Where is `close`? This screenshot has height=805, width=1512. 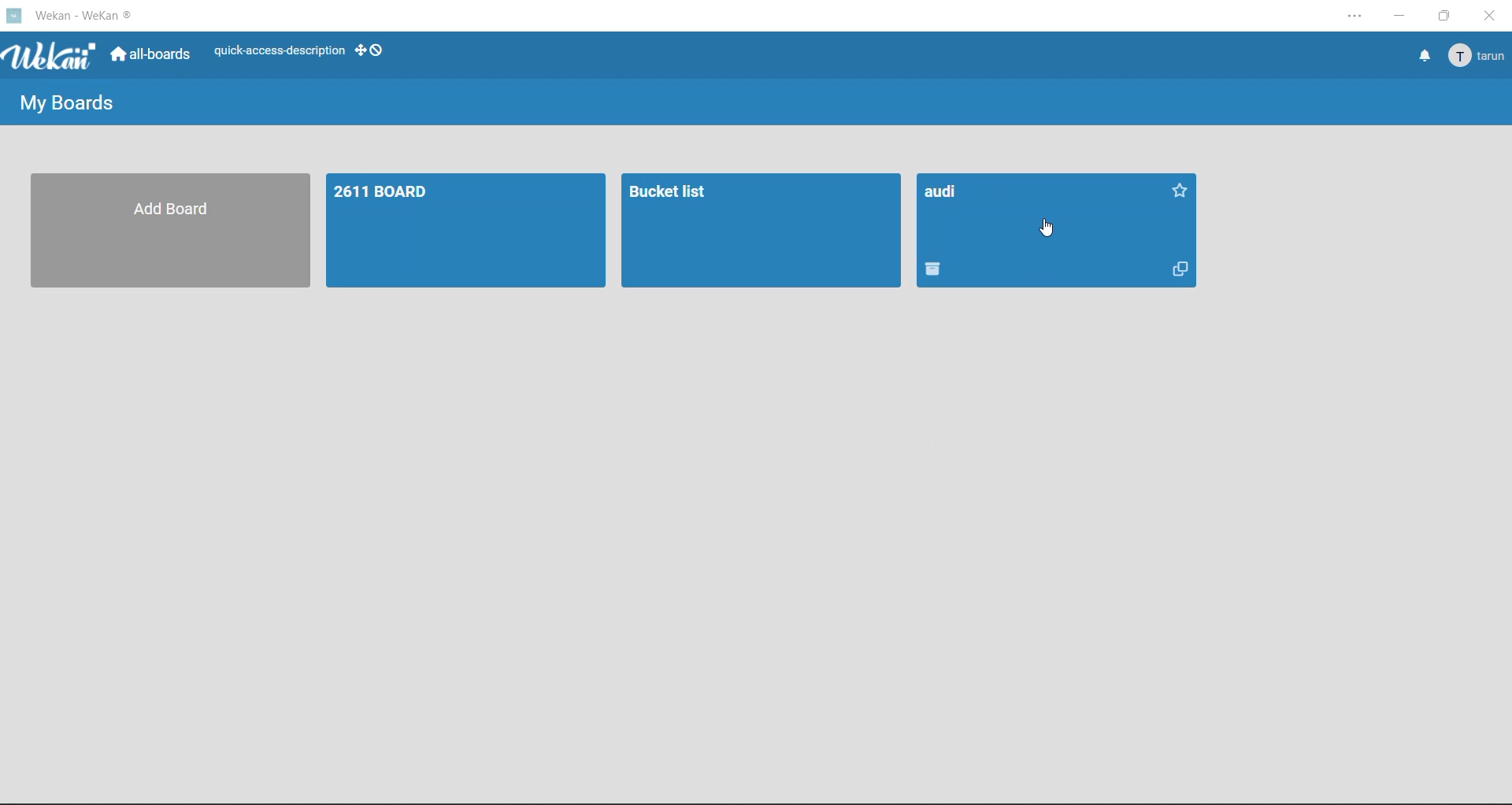
close is located at coordinates (1493, 14).